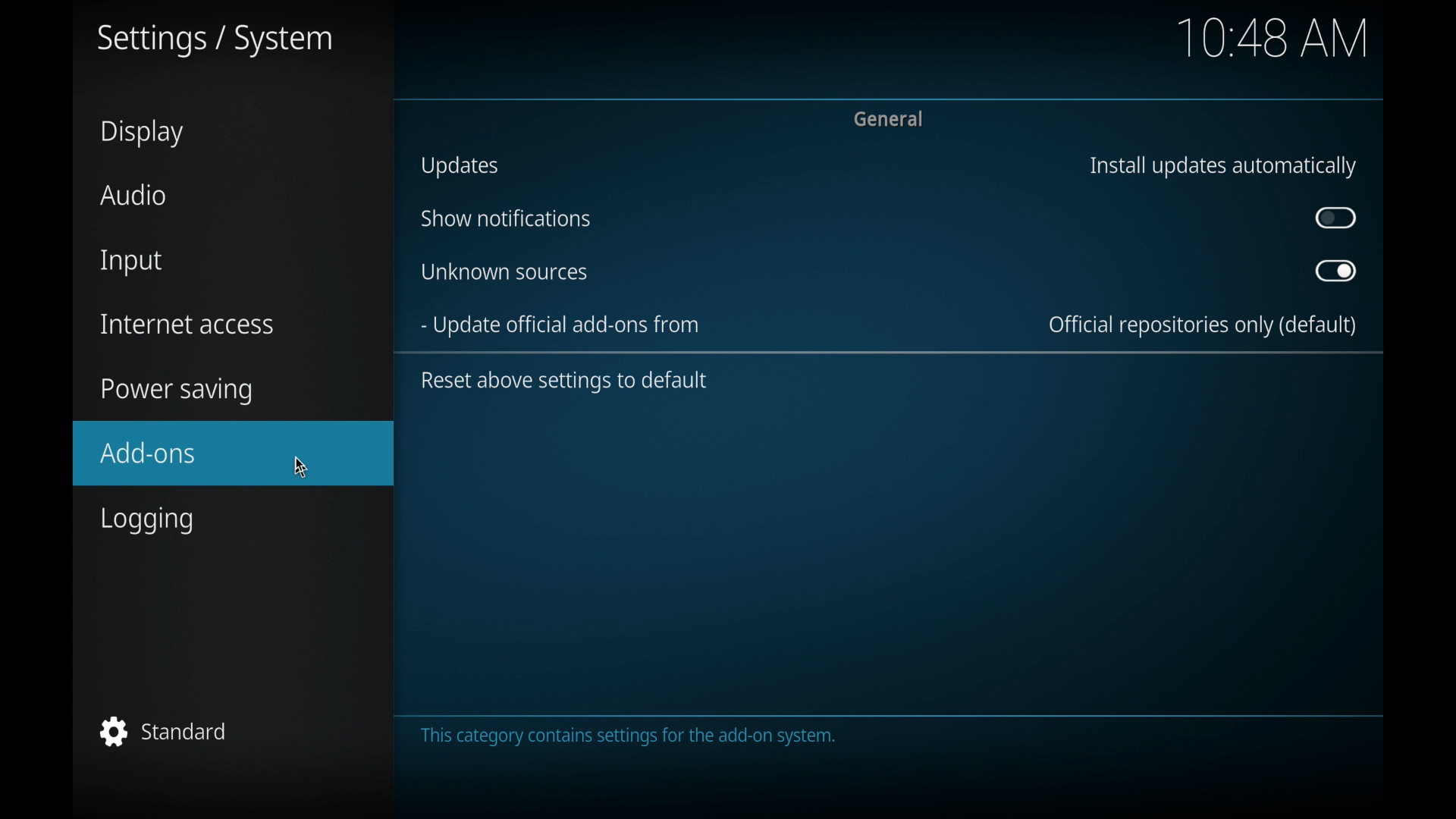  Describe the element at coordinates (132, 196) in the screenshot. I see `audio` at that location.